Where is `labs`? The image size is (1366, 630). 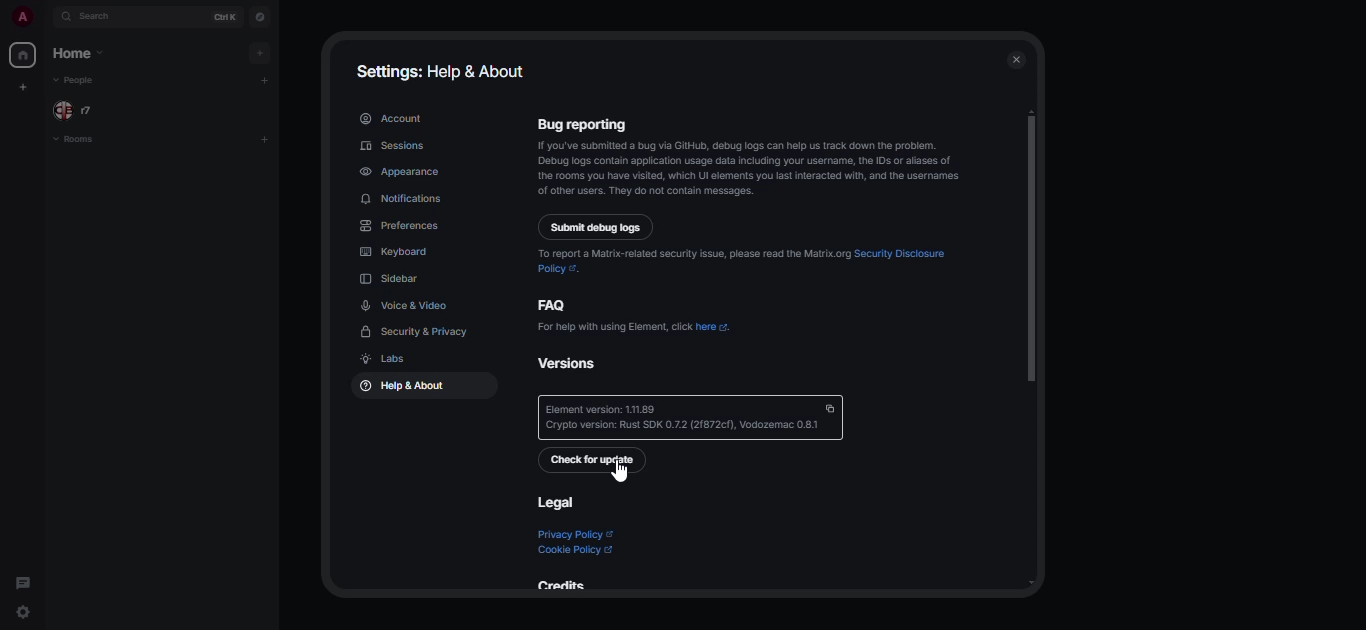
labs is located at coordinates (390, 358).